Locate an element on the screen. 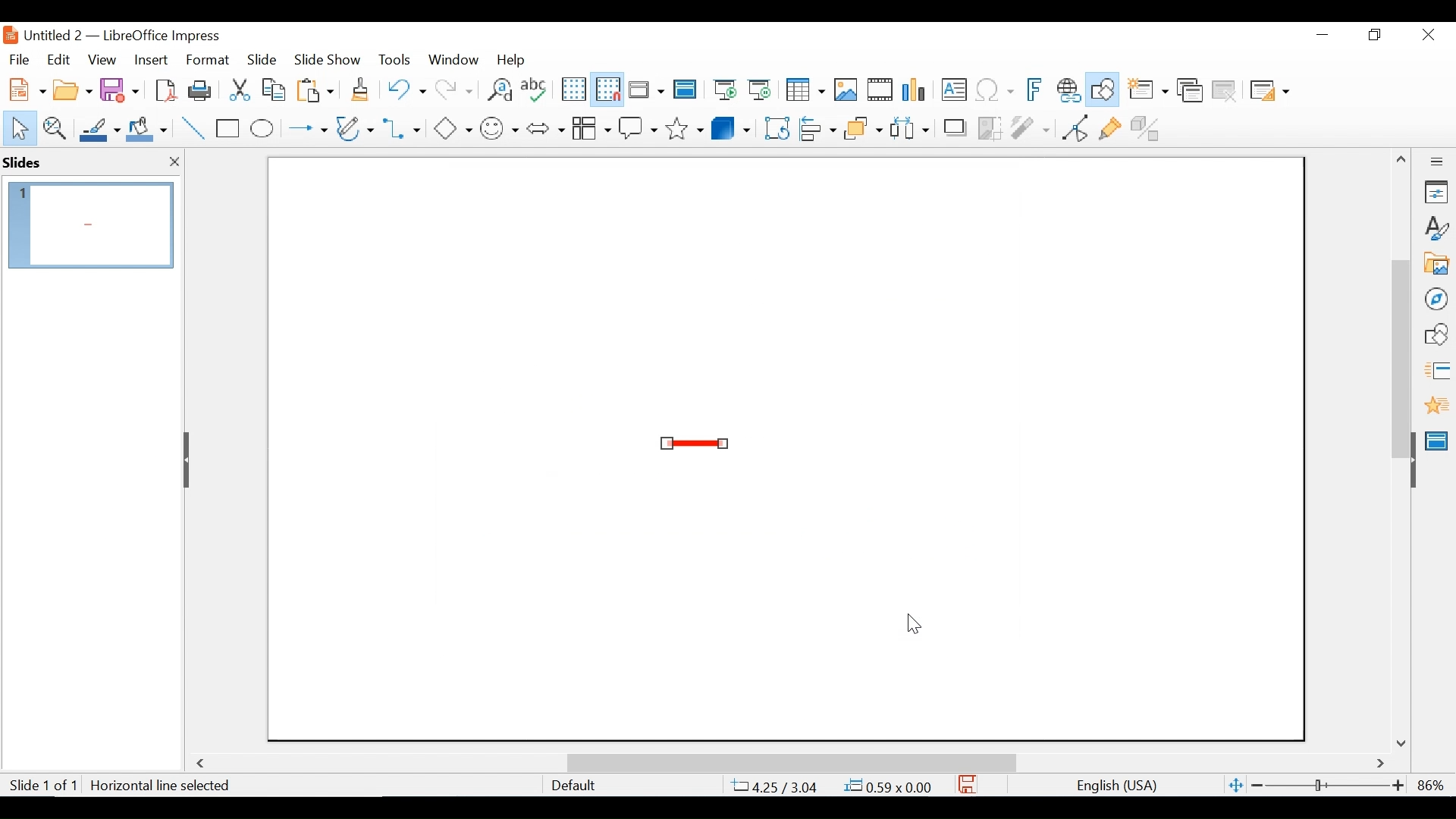 This screenshot has height=819, width=1456. Fill Color is located at coordinates (147, 129).